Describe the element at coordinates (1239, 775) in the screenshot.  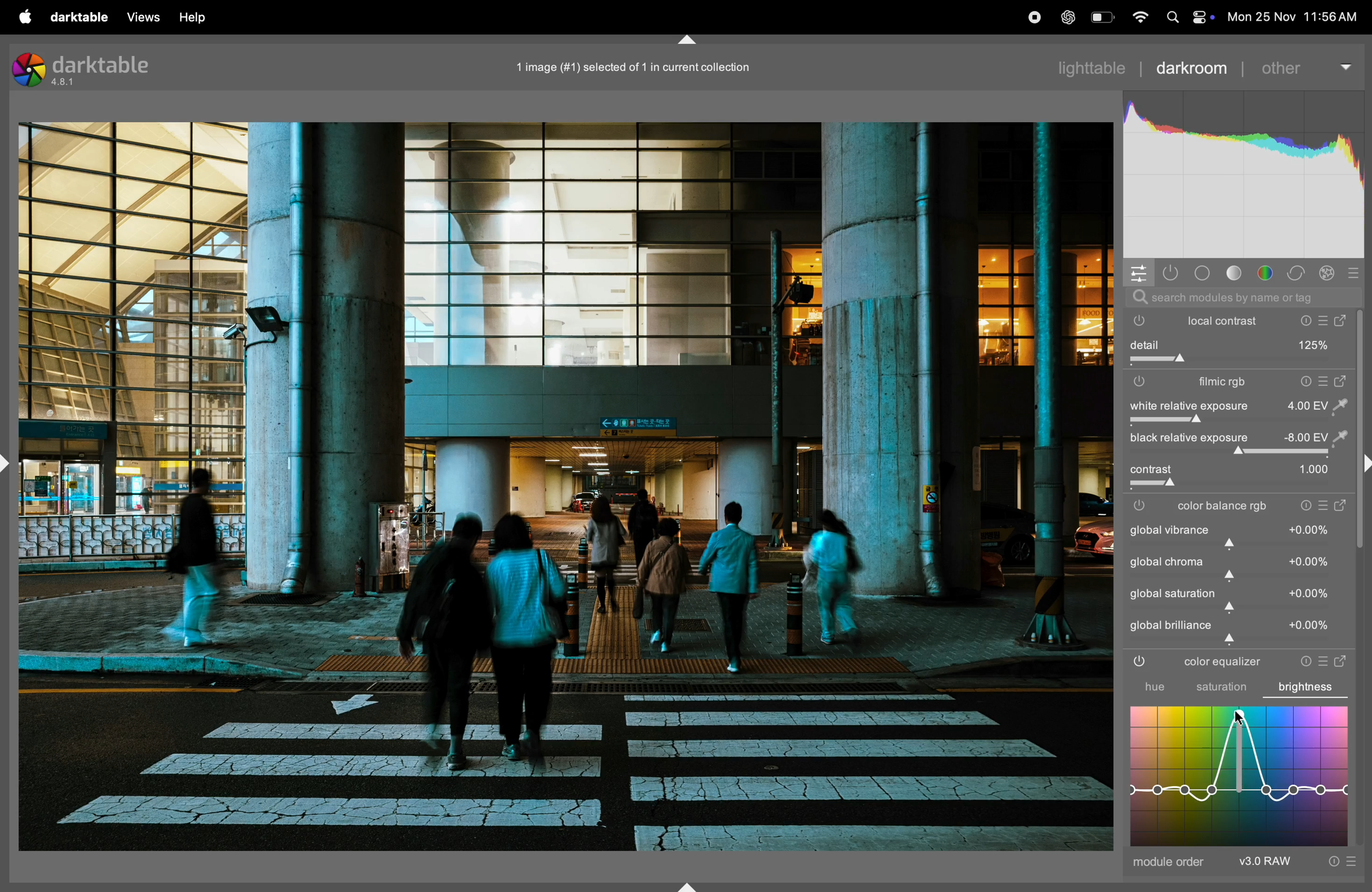
I see `graph equalizer` at that location.